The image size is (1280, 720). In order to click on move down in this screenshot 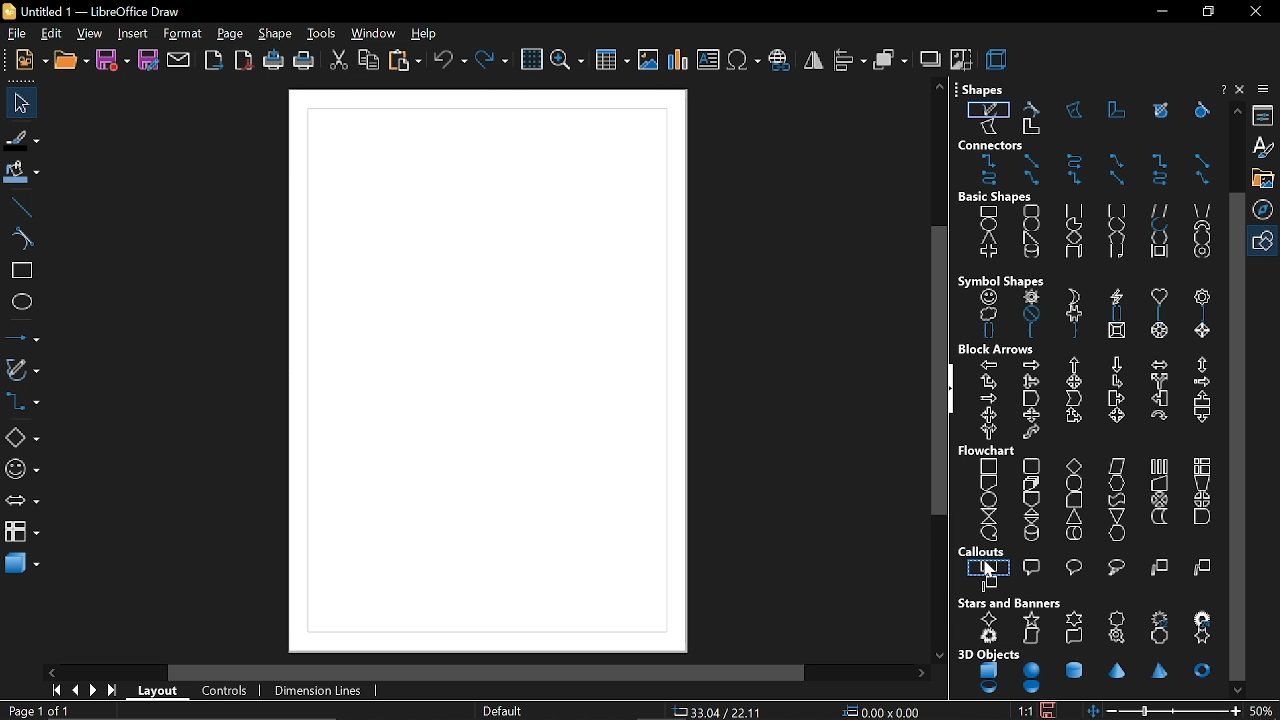, I will do `click(1237, 690)`.